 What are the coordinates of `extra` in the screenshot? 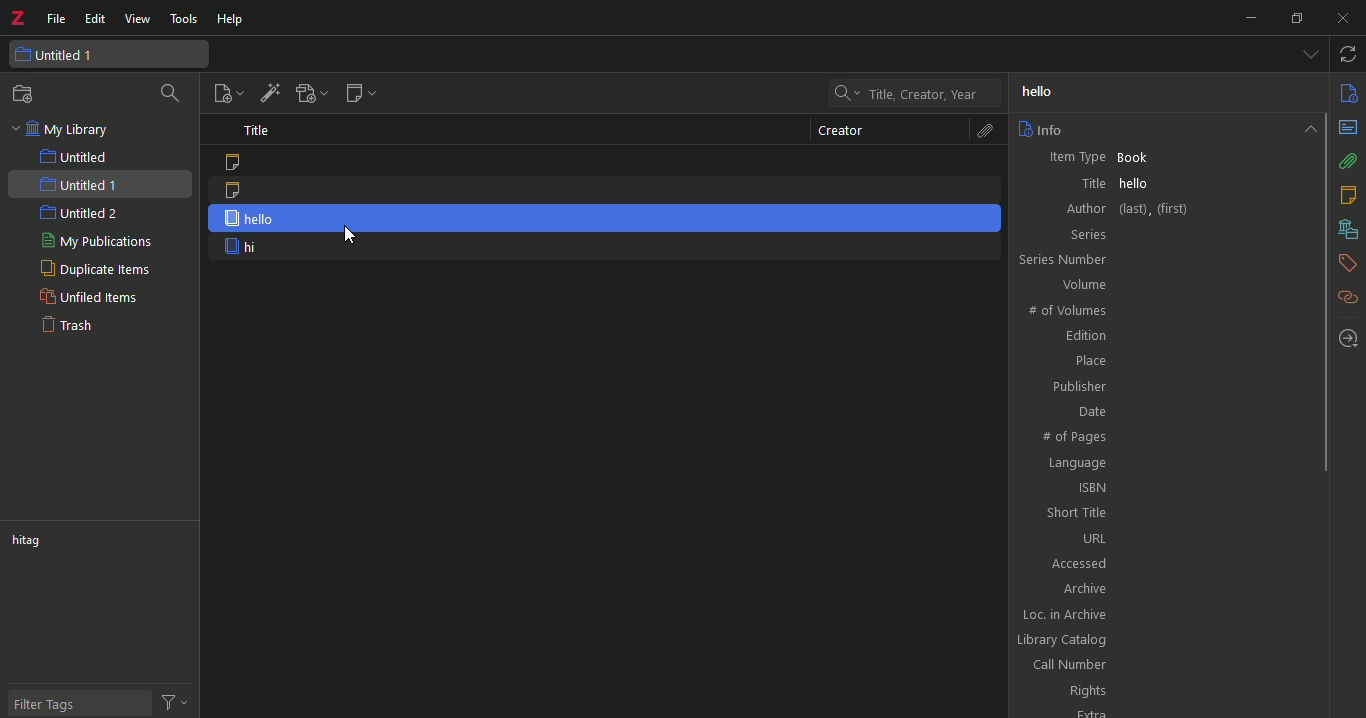 It's located at (1097, 709).